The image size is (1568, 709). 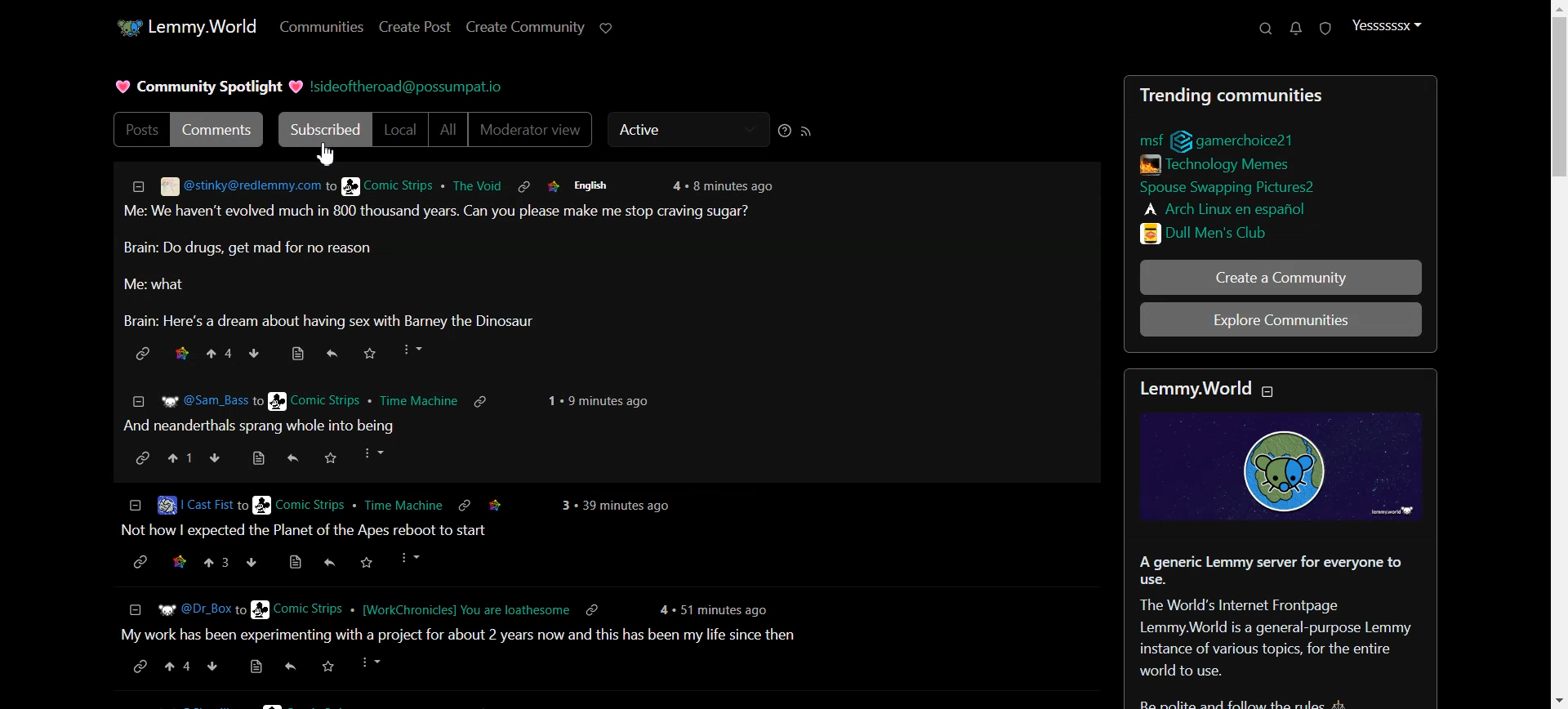 I want to click on Search, so click(x=1266, y=29).